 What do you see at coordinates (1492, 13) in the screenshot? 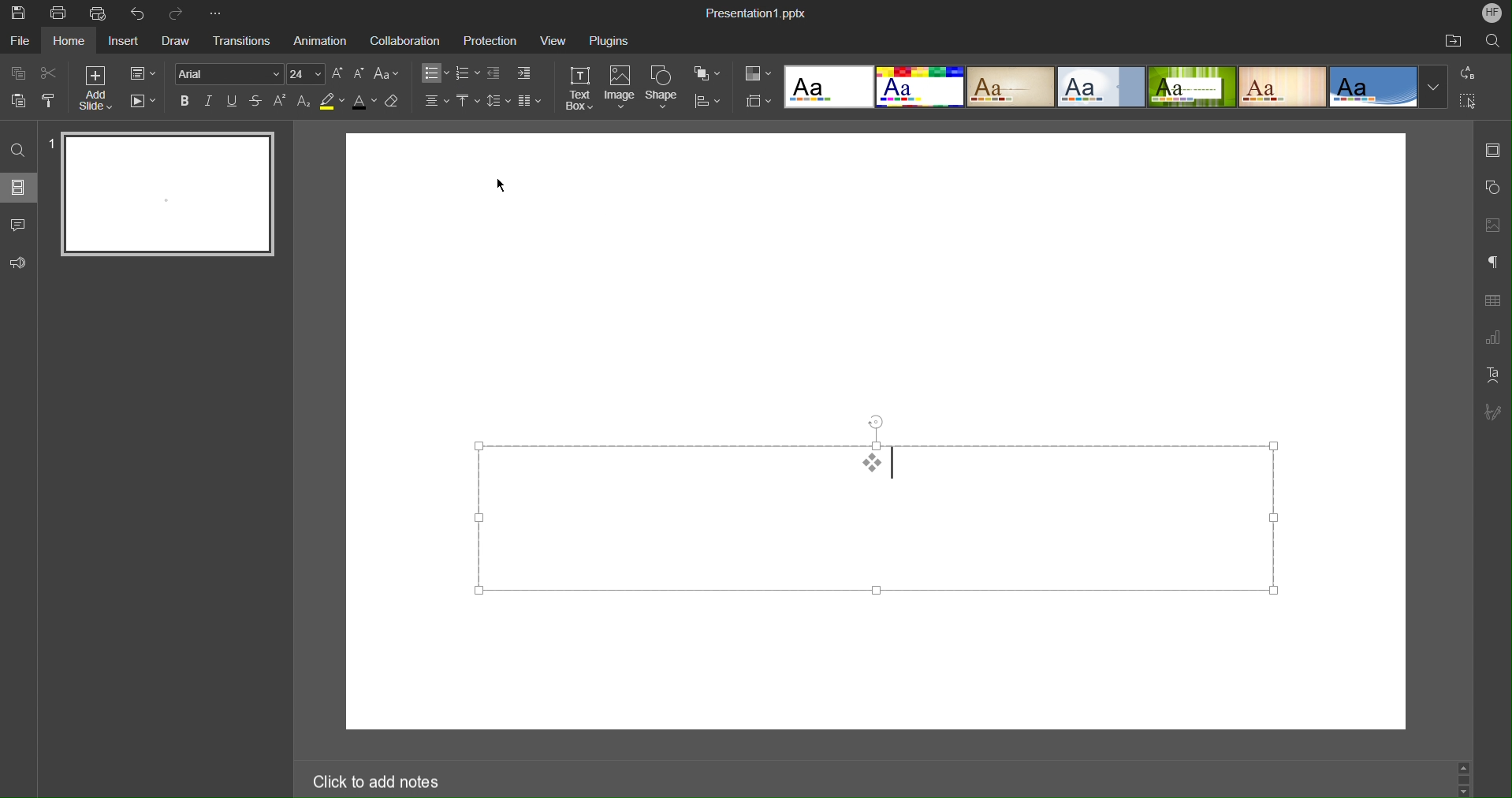
I see `Account` at bounding box center [1492, 13].